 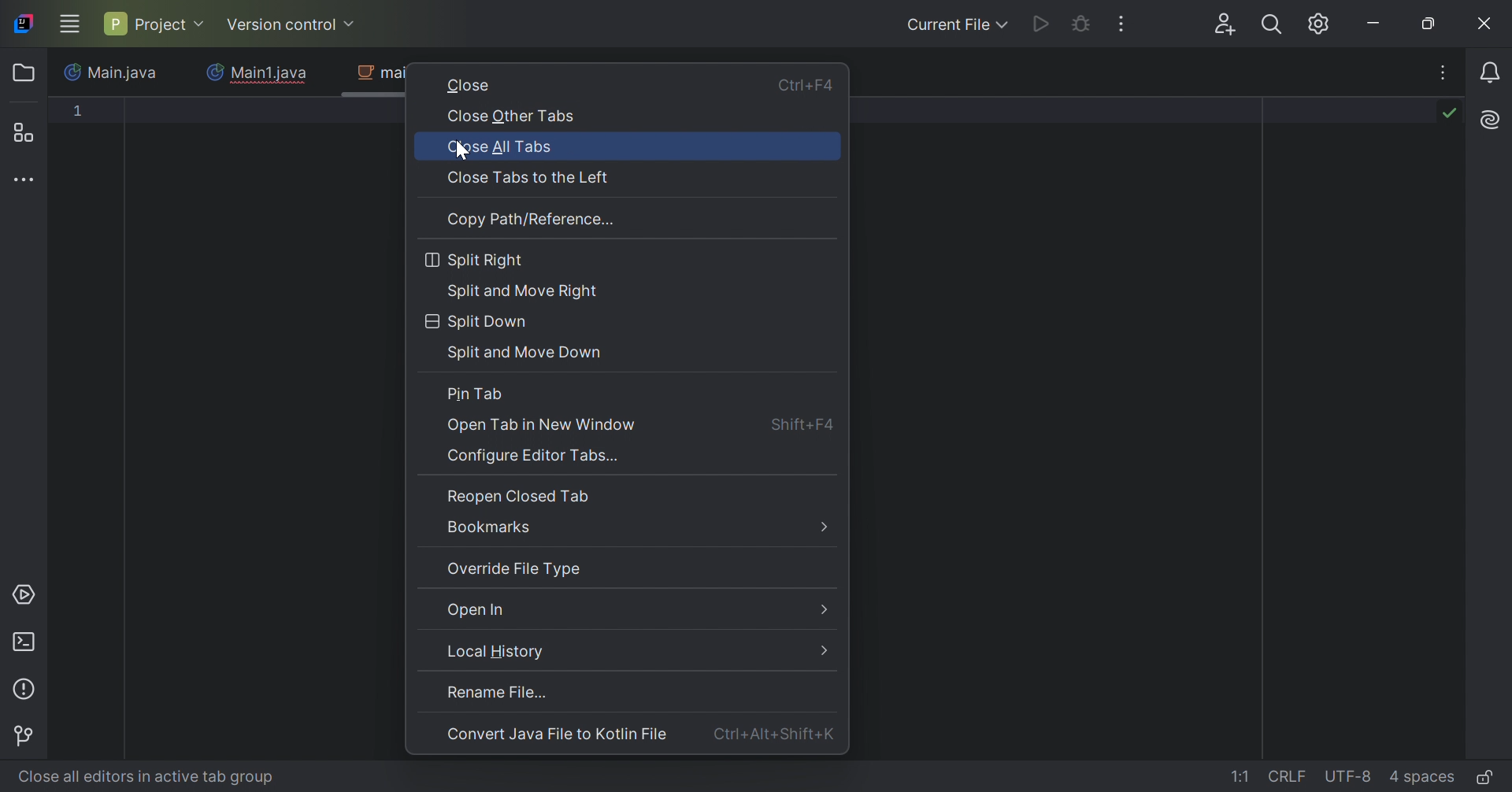 What do you see at coordinates (477, 321) in the screenshot?
I see `Split Down` at bounding box center [477, 321].